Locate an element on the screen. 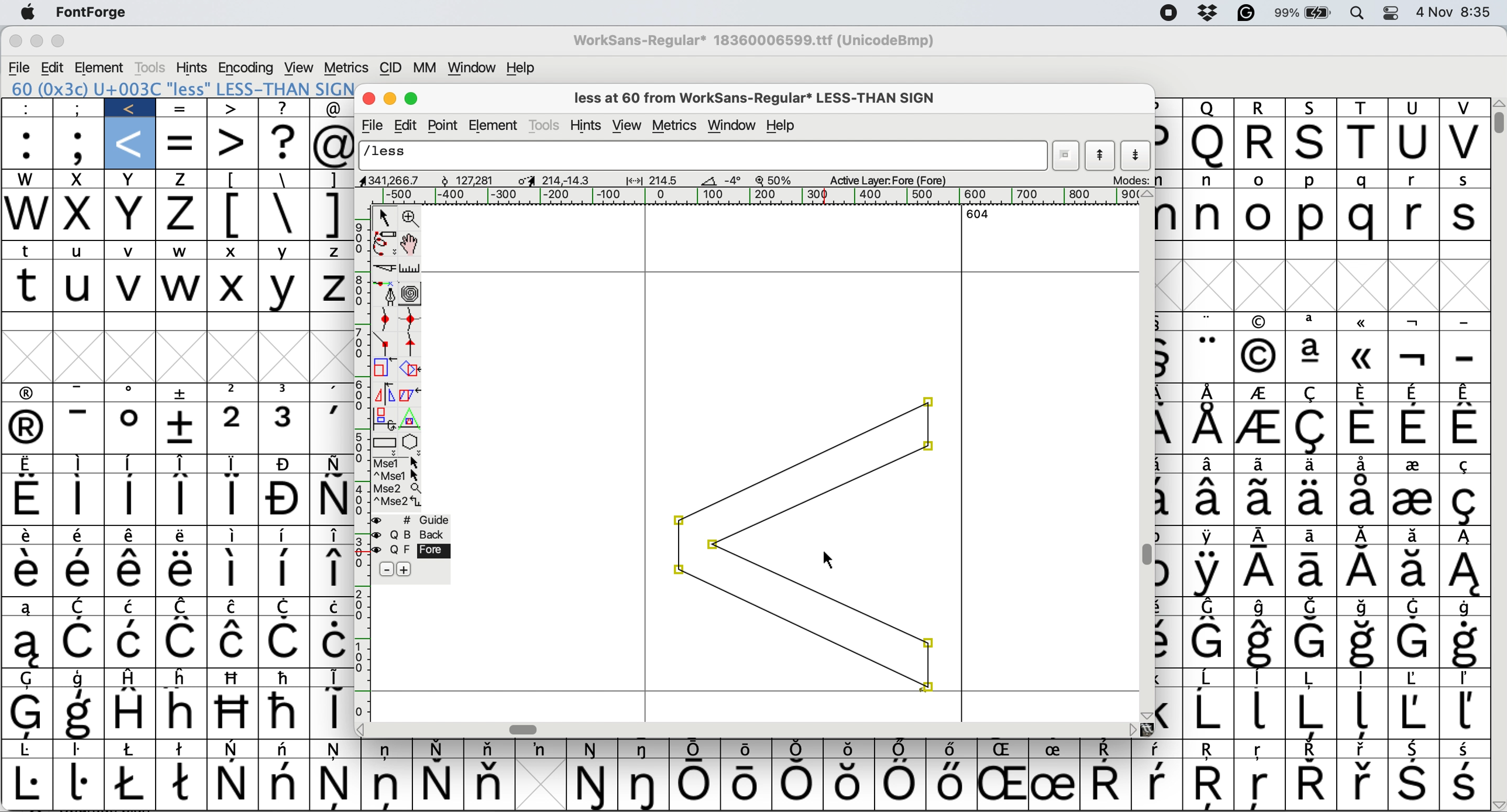  show previous letter is located at coordinates (1101, 156).